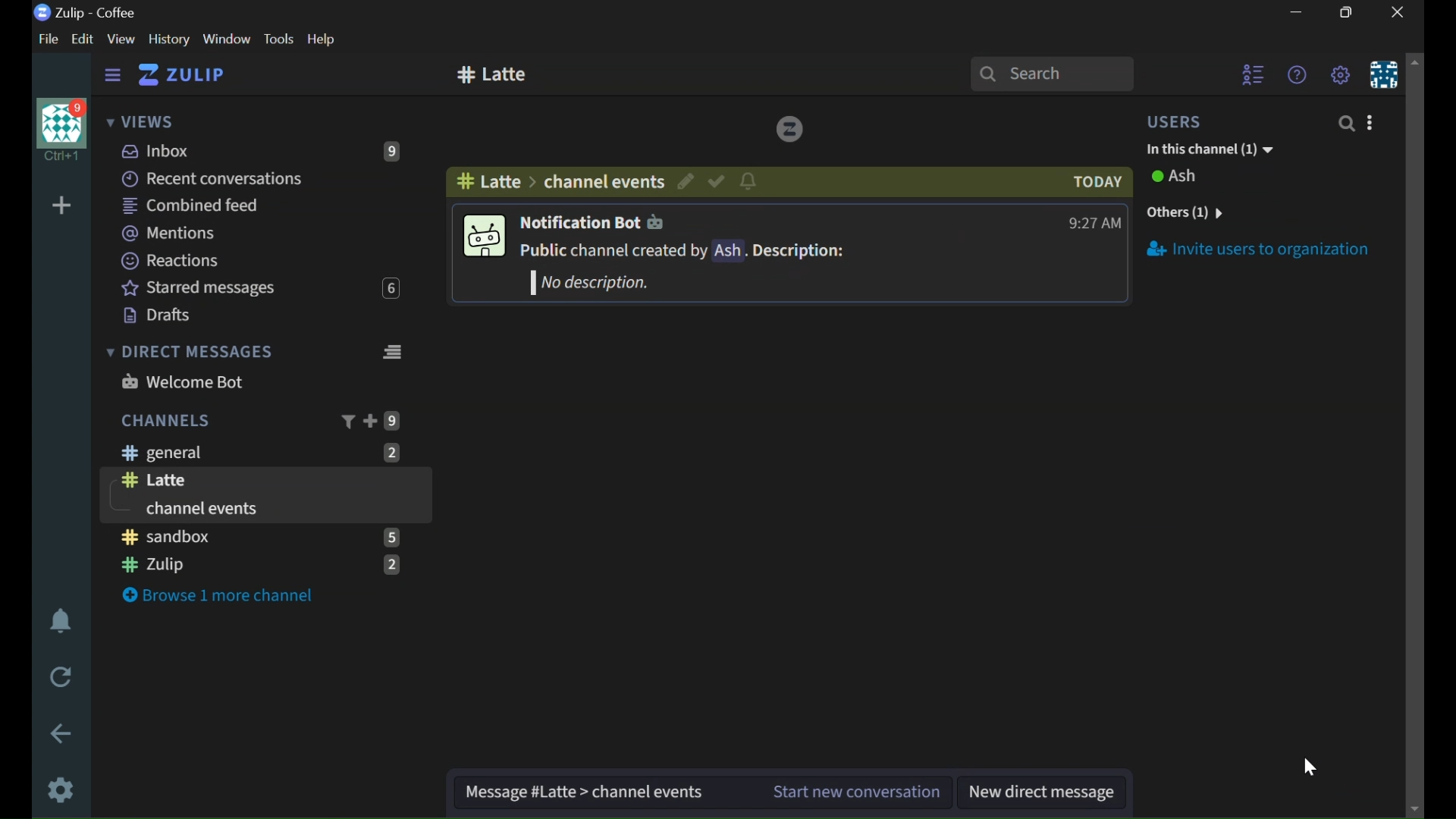 This screenshot has height=819, width=1456. I want to click on ADD ORGANIZER, so click(61, 206).